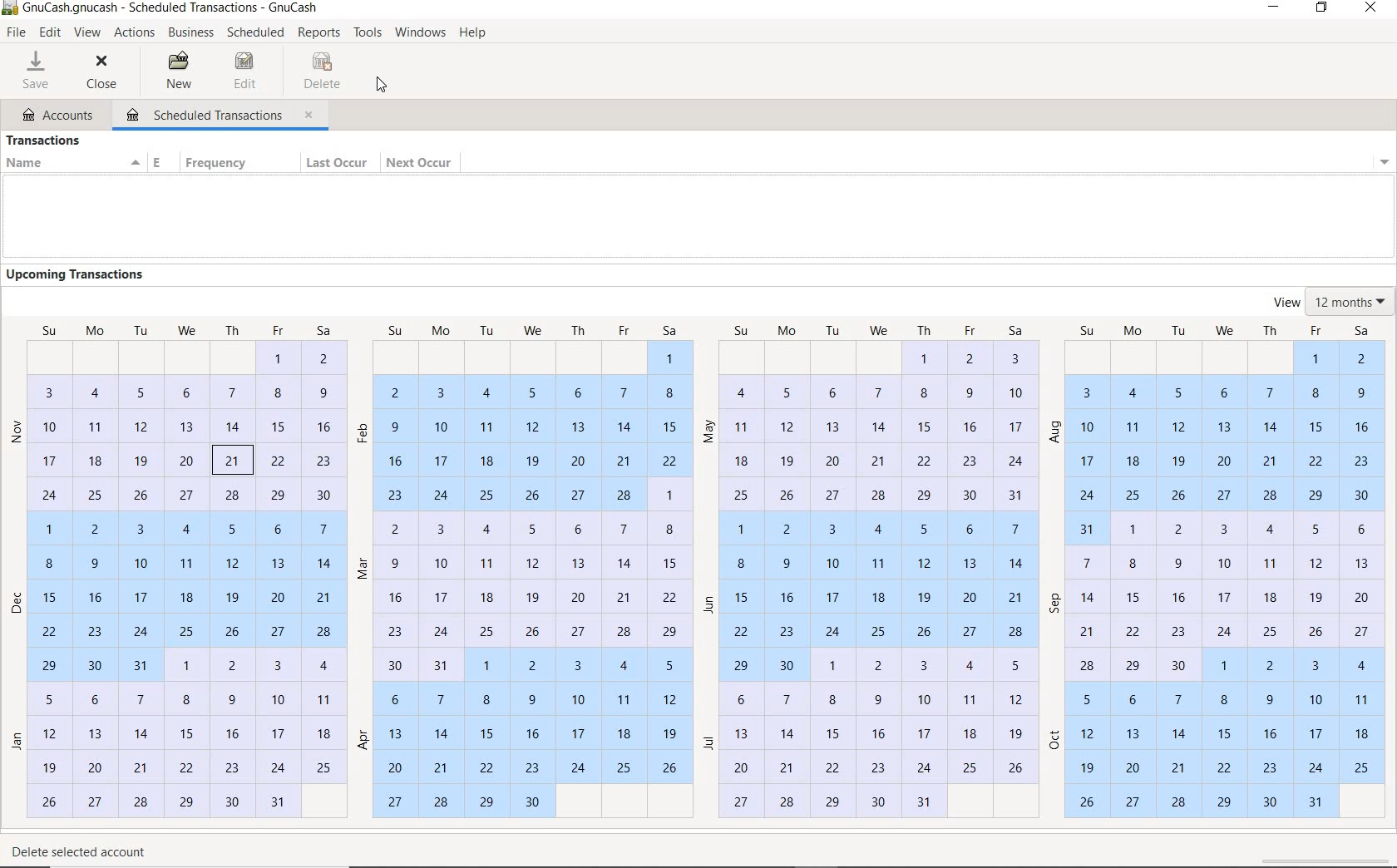  Describe the element at coordinates (16, 33) in the screenshot. I see `FILE` at that location.